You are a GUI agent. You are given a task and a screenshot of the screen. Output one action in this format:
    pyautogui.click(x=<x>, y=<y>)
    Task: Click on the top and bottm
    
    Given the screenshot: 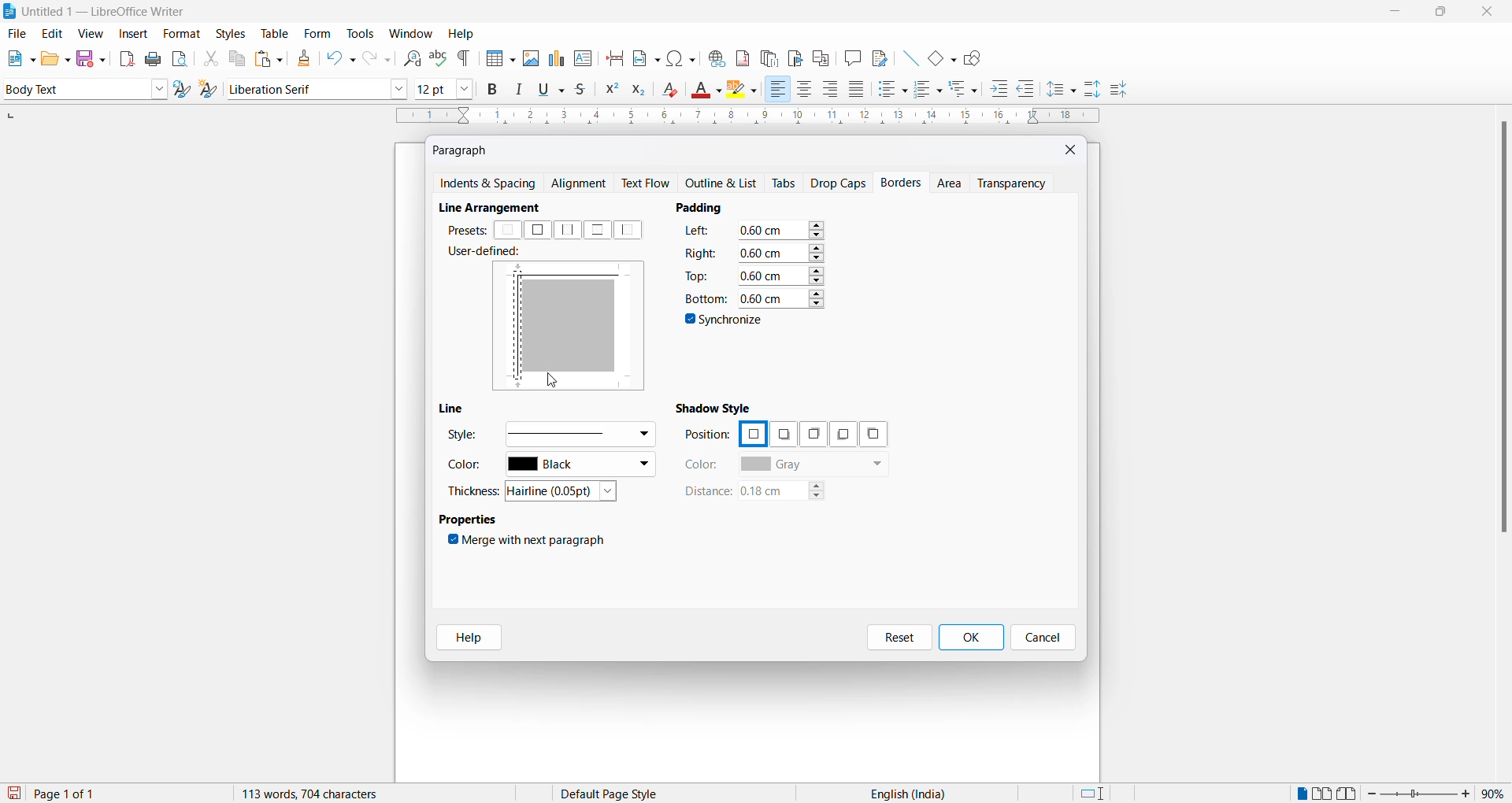 What is the action you would take?
    pyautogui.click(x=597, y=230)
    